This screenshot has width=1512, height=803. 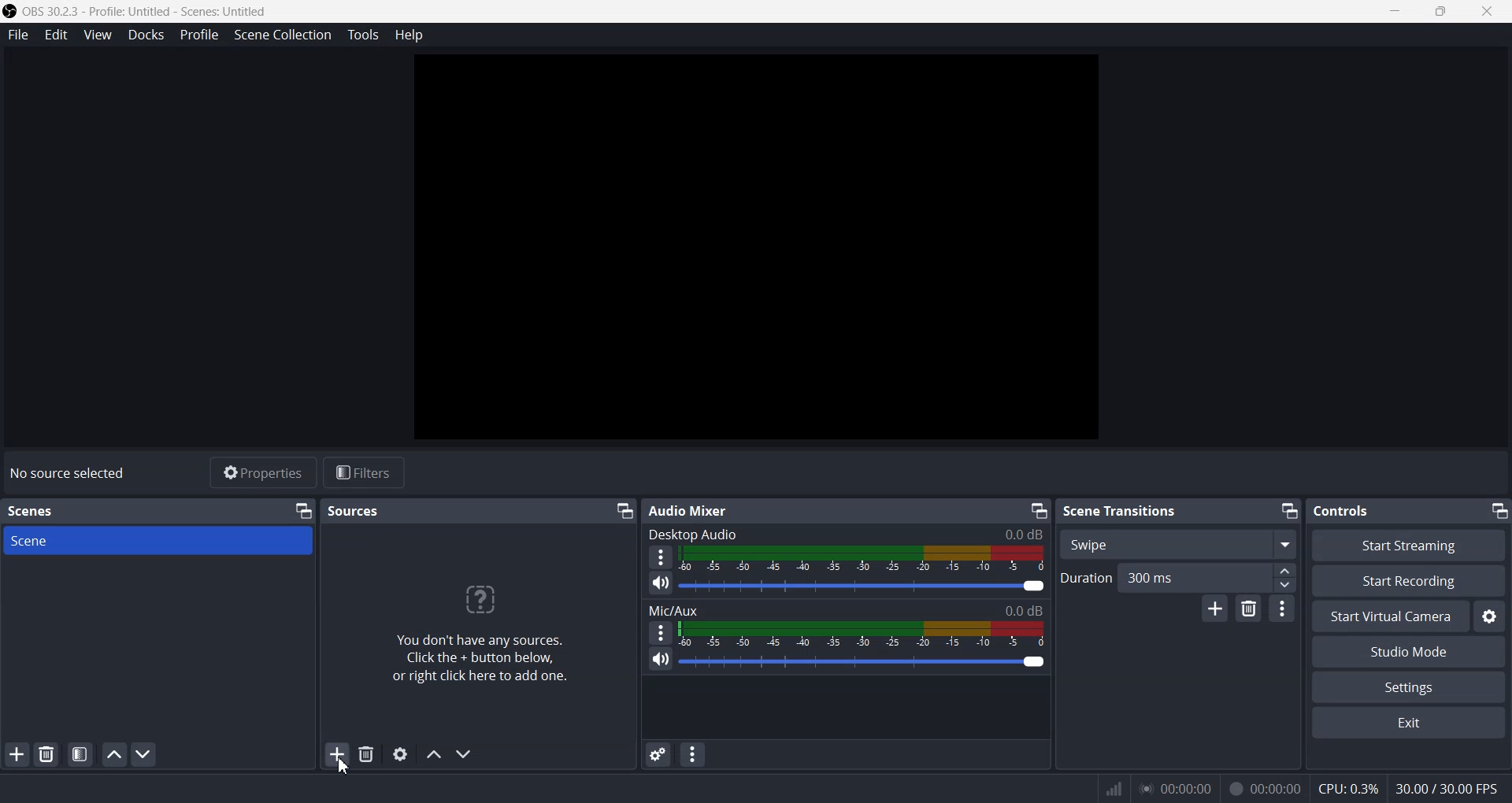 What do you see at coordinates (861, 662) in the screenshot?
I see `Volume Adjuster` at bounding box center [861, 662].